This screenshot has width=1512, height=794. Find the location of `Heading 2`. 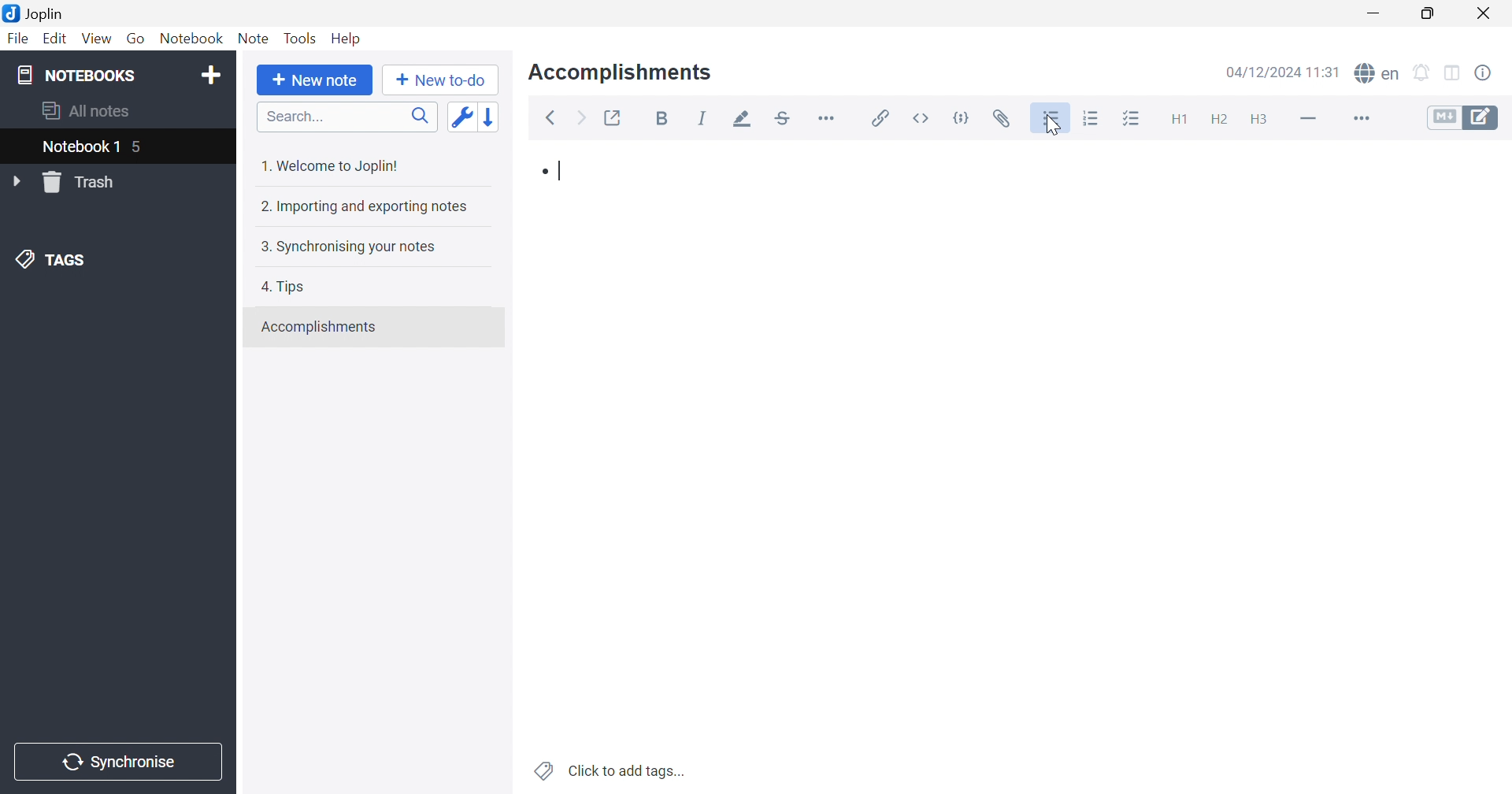

Heading 2 is located at coordinates (1217, 117).